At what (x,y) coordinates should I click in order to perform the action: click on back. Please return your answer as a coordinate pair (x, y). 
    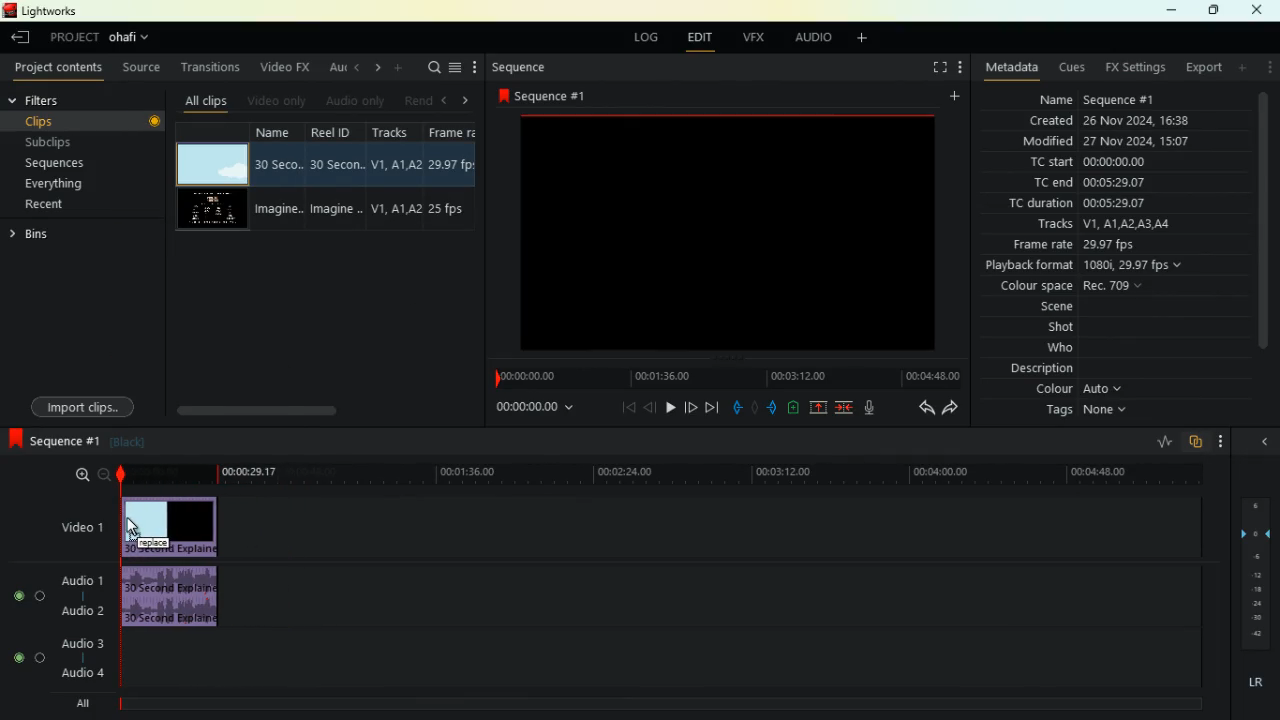
    Looking at the image, I should click on (648, 409).